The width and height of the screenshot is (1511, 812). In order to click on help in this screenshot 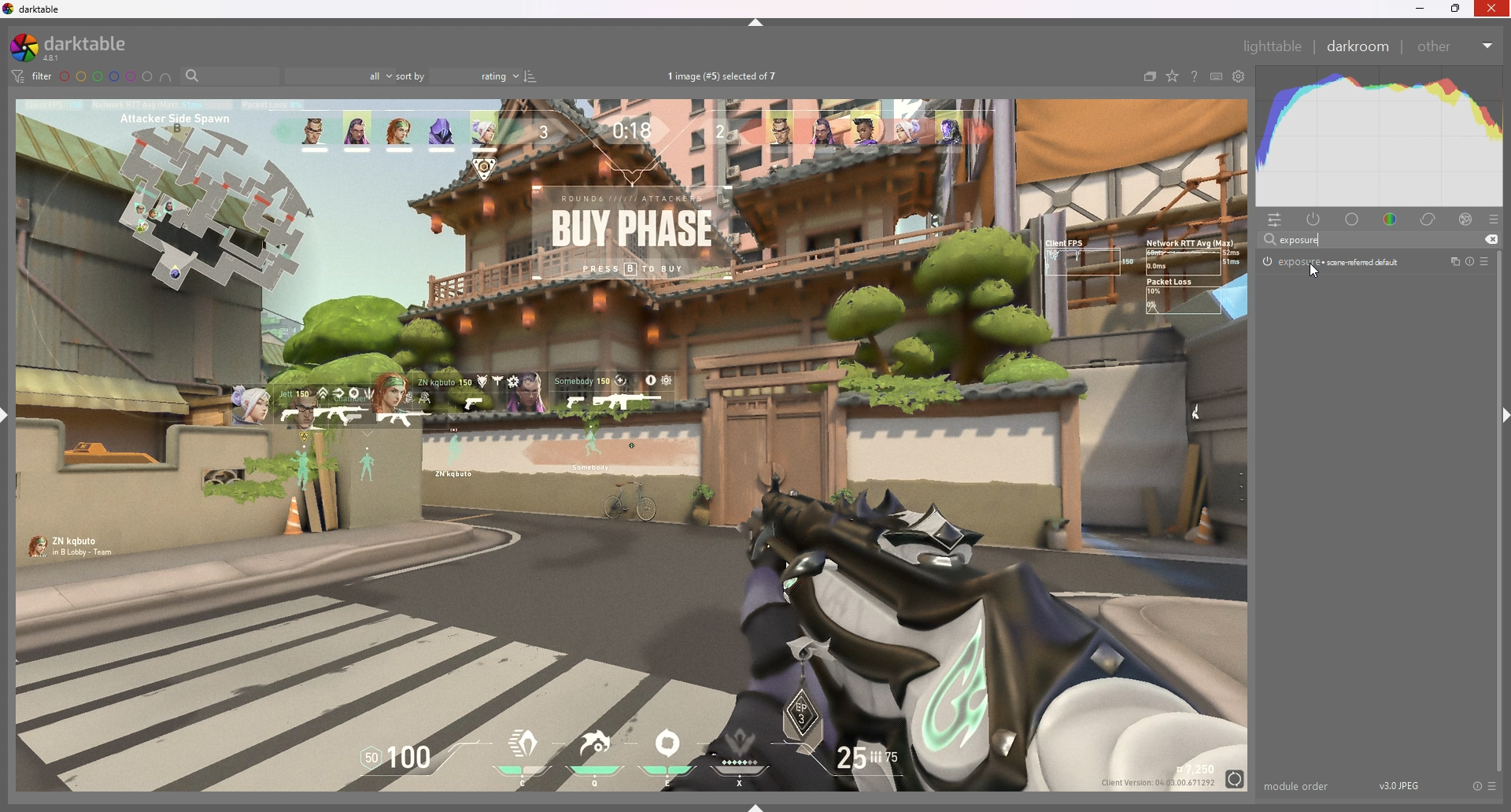, I will do `click(1192, 76)`.